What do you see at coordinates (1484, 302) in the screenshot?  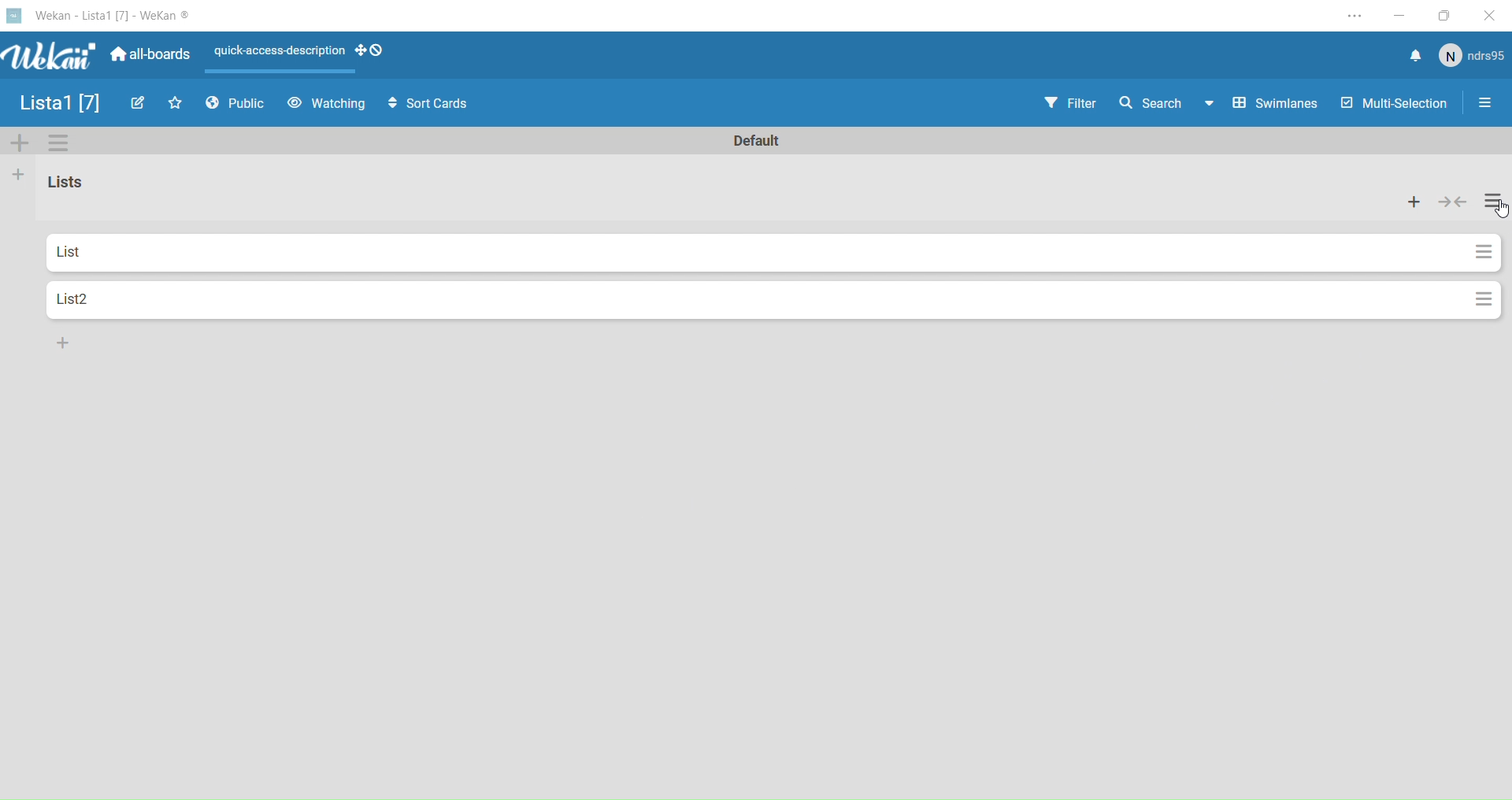 I see `actions` at bounding box center [1484, 302].